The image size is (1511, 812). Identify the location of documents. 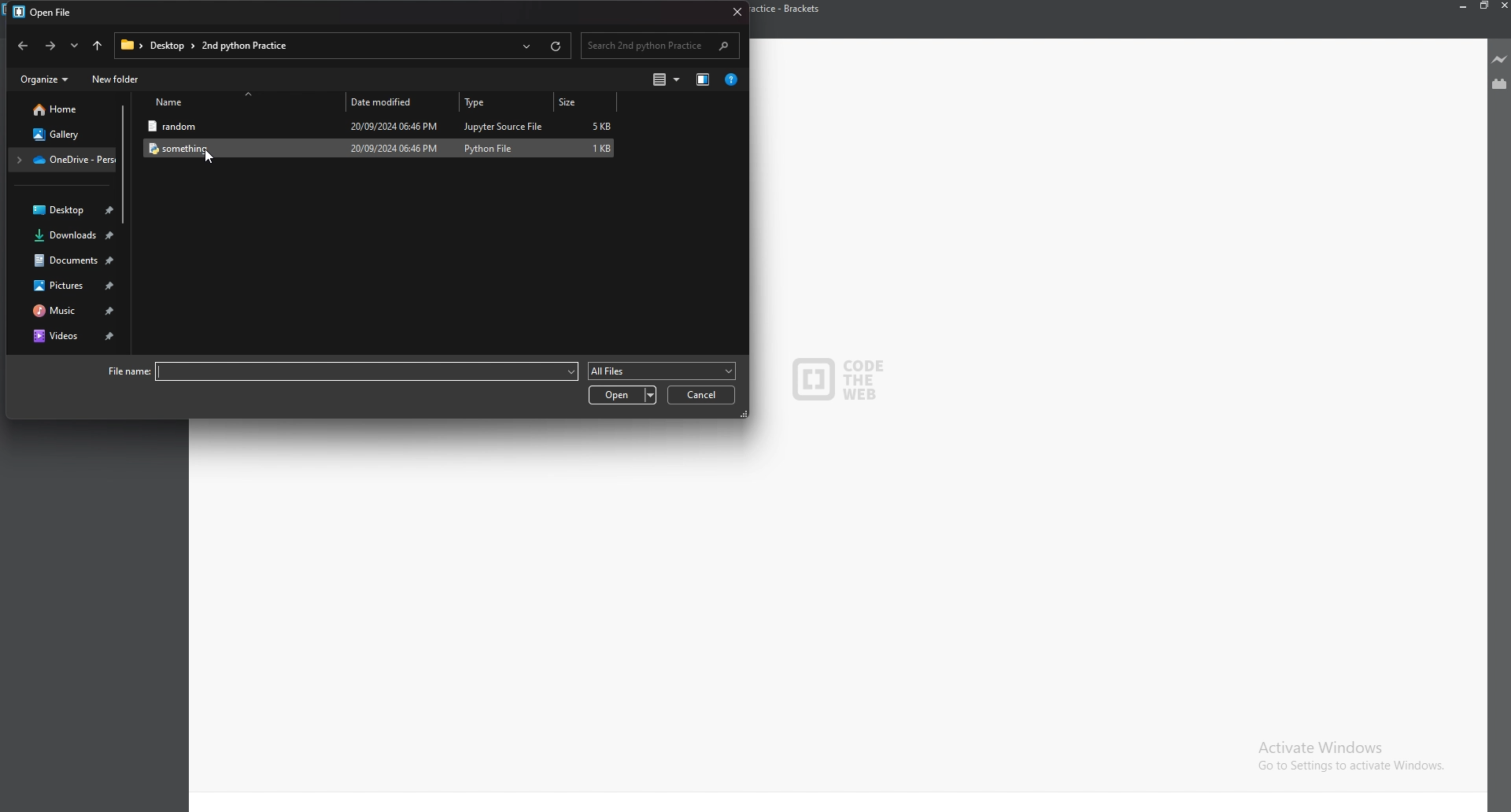
(64, 260).